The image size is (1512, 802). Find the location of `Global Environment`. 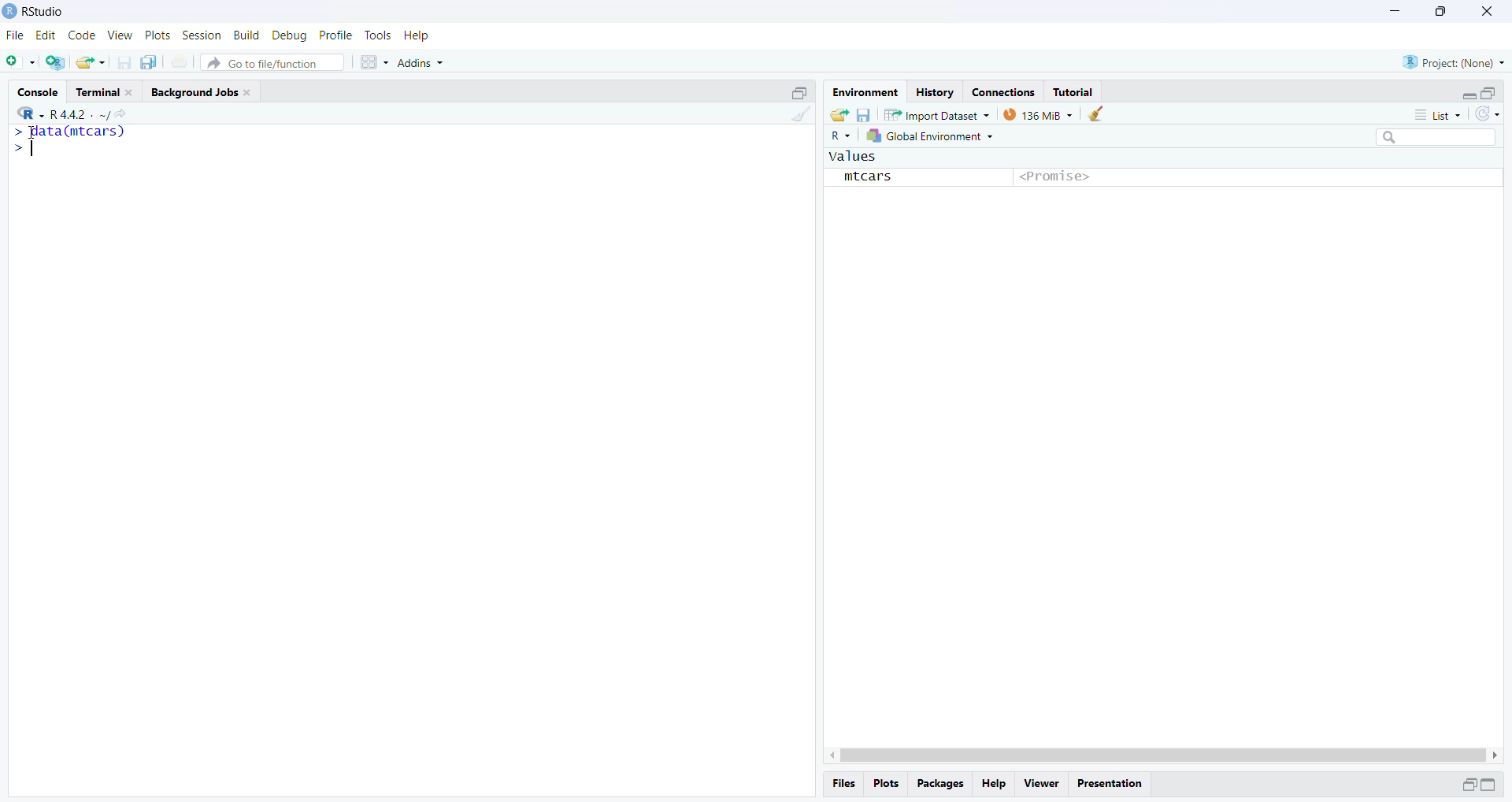

Global Environment is located at coordinates (933, 138).